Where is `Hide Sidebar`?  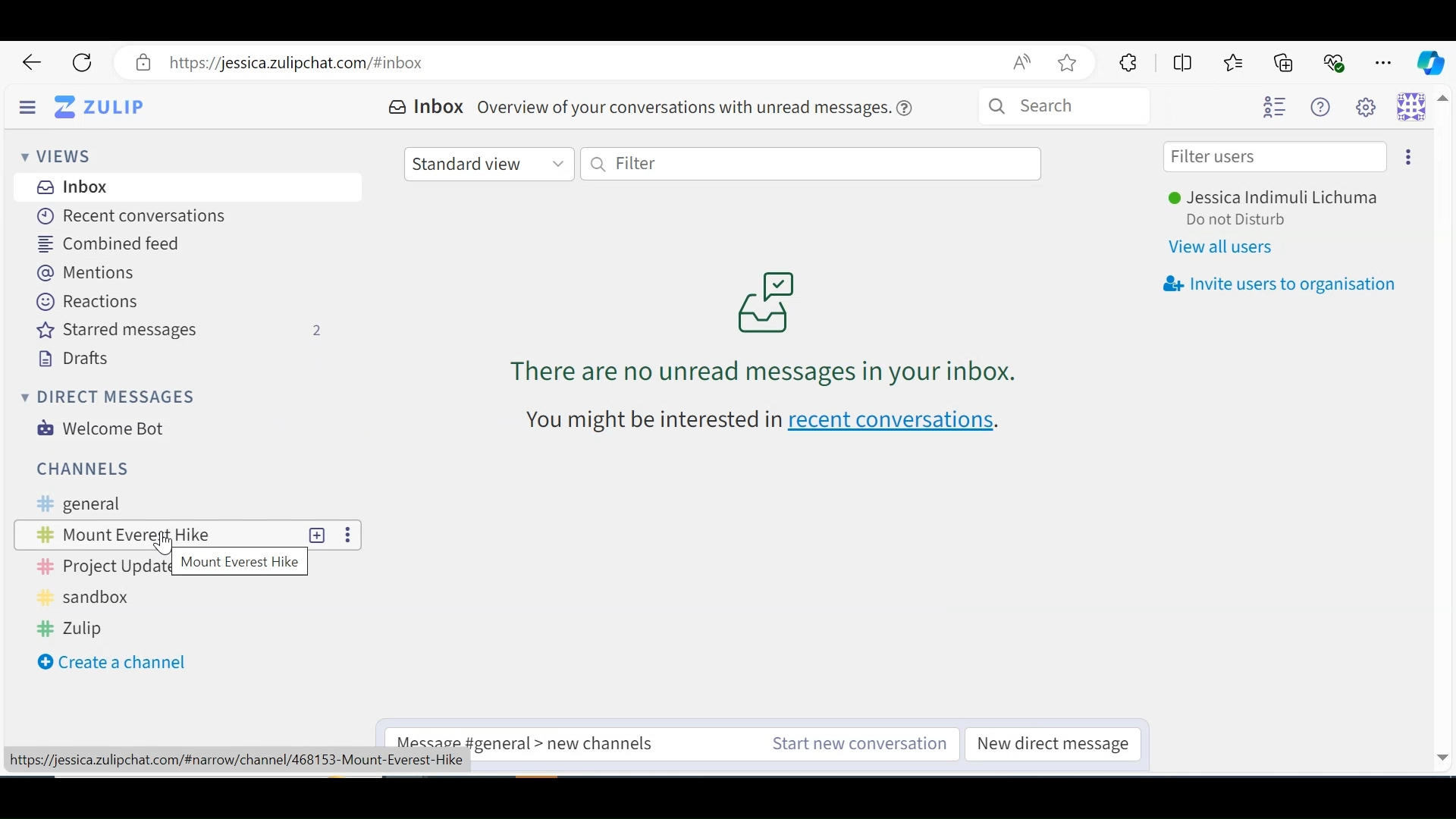 Hide Sidebar is located at coordinates (28, 105).